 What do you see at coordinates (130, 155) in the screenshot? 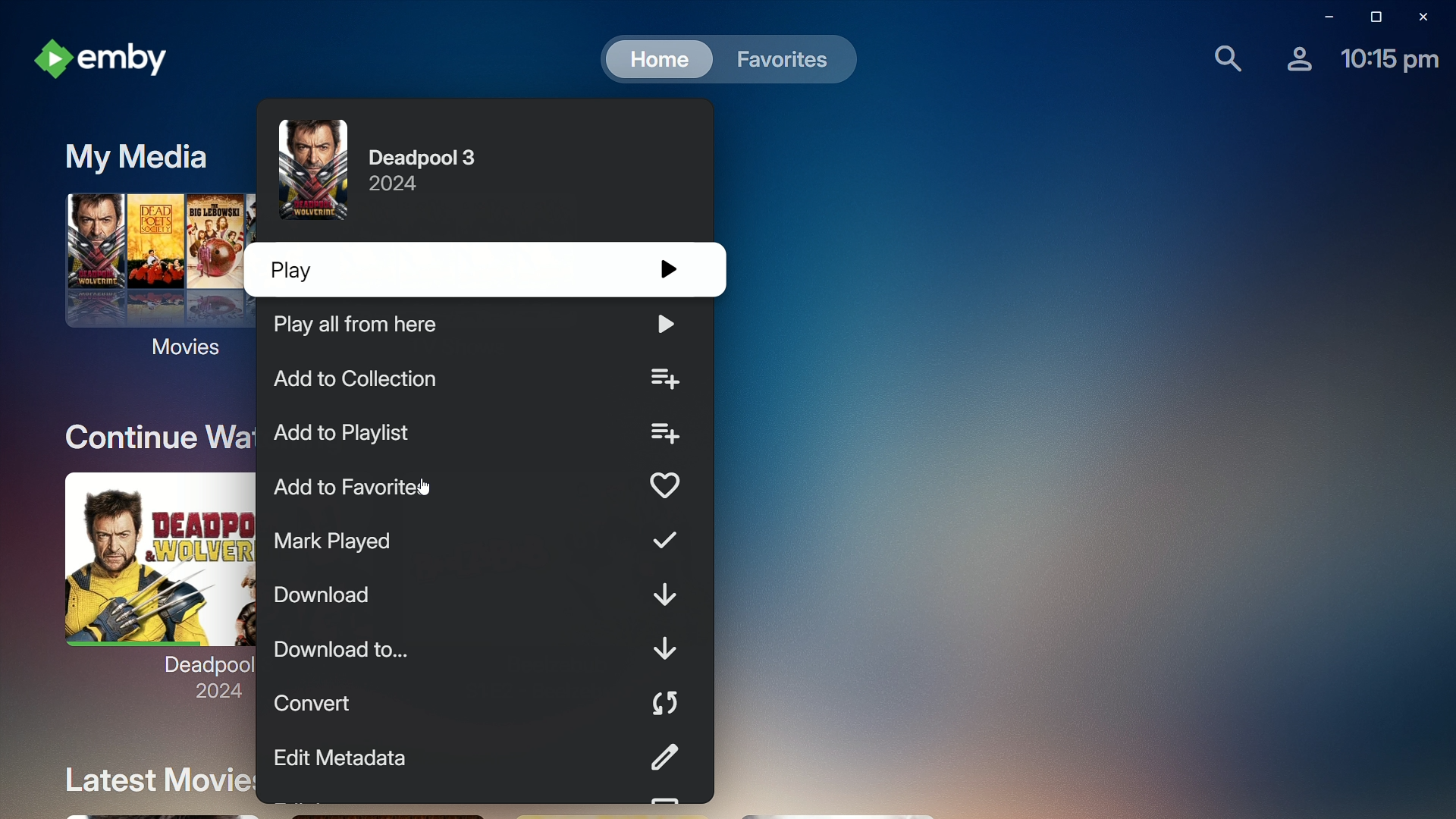
I see `My Media` at bounding box center [130, 155].